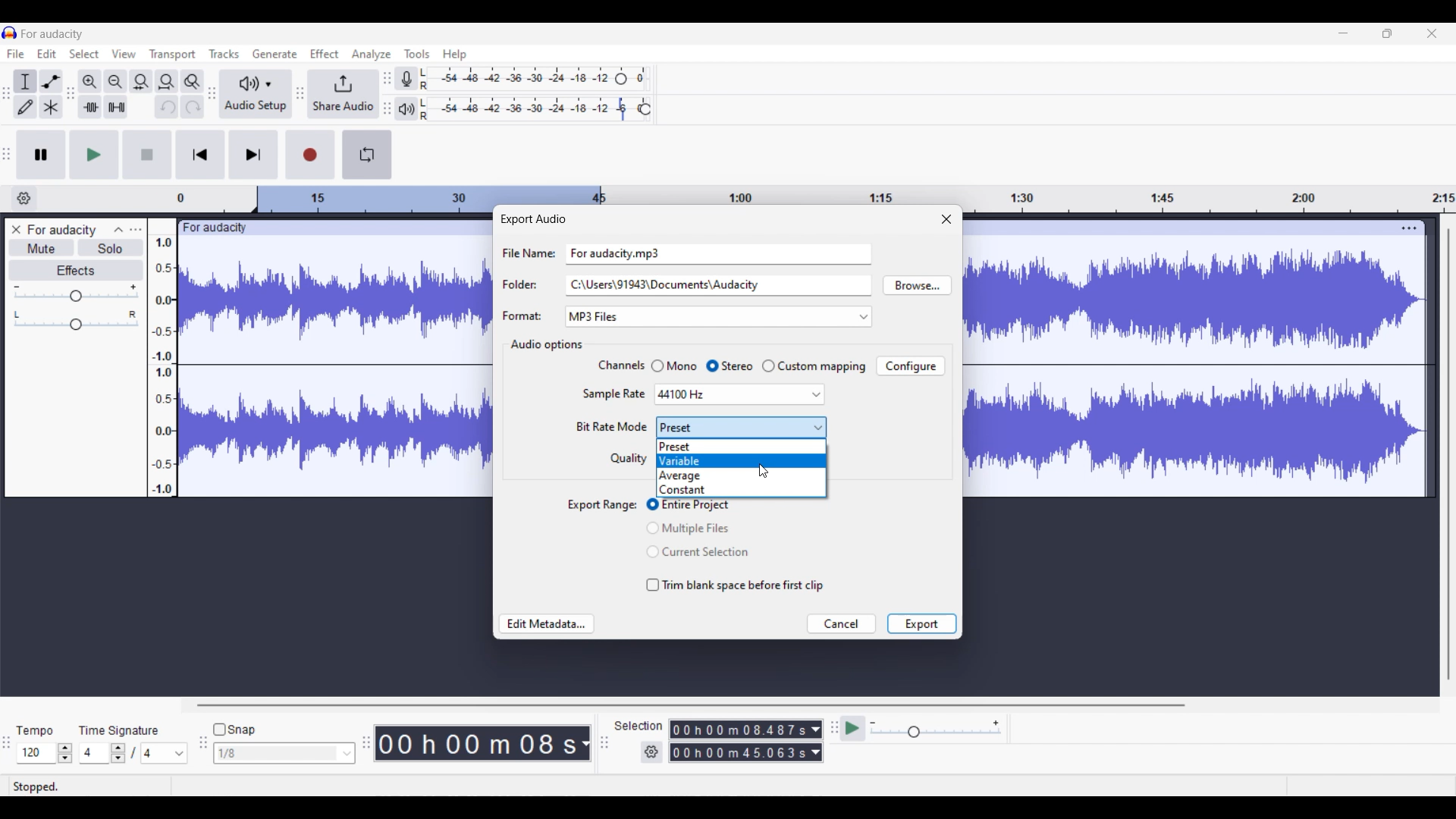 The image size is (1456, 819). I want to click on Format options to choose from, so click(748, 317).